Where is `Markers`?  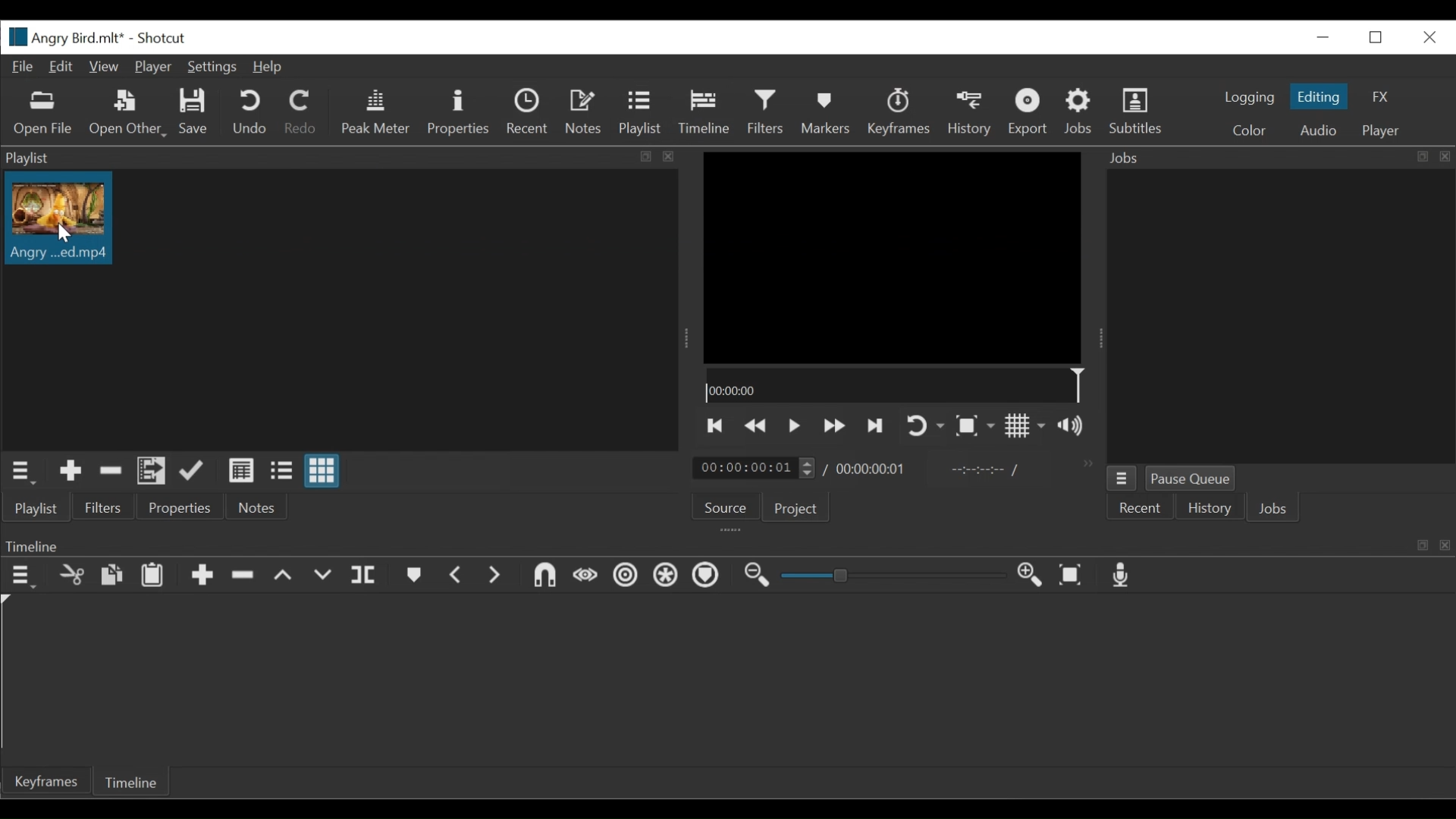
Markers is located at coordinates (707, 575).